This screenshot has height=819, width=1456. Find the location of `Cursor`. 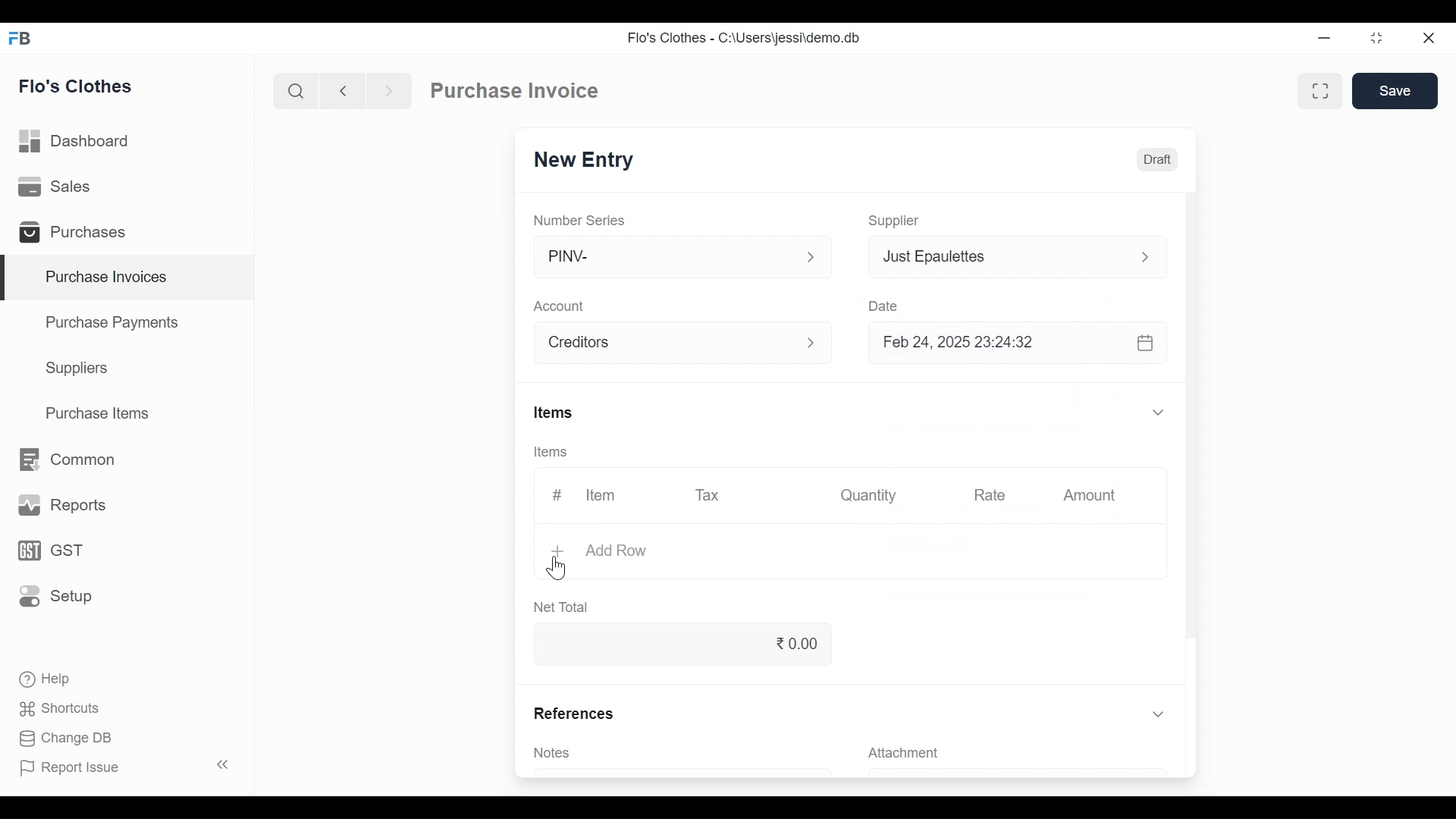

Cursor is located at coordinates (558, 567).